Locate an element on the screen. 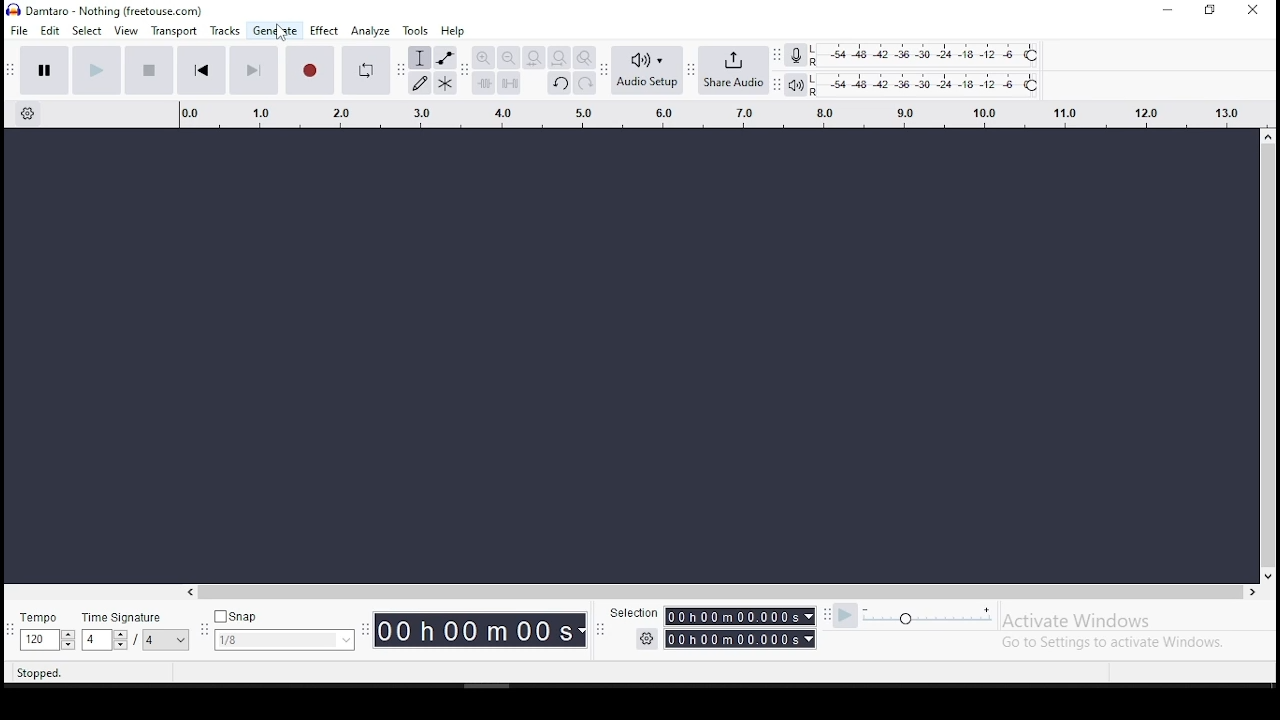  envelope tool is located at coordinates (446, 57).